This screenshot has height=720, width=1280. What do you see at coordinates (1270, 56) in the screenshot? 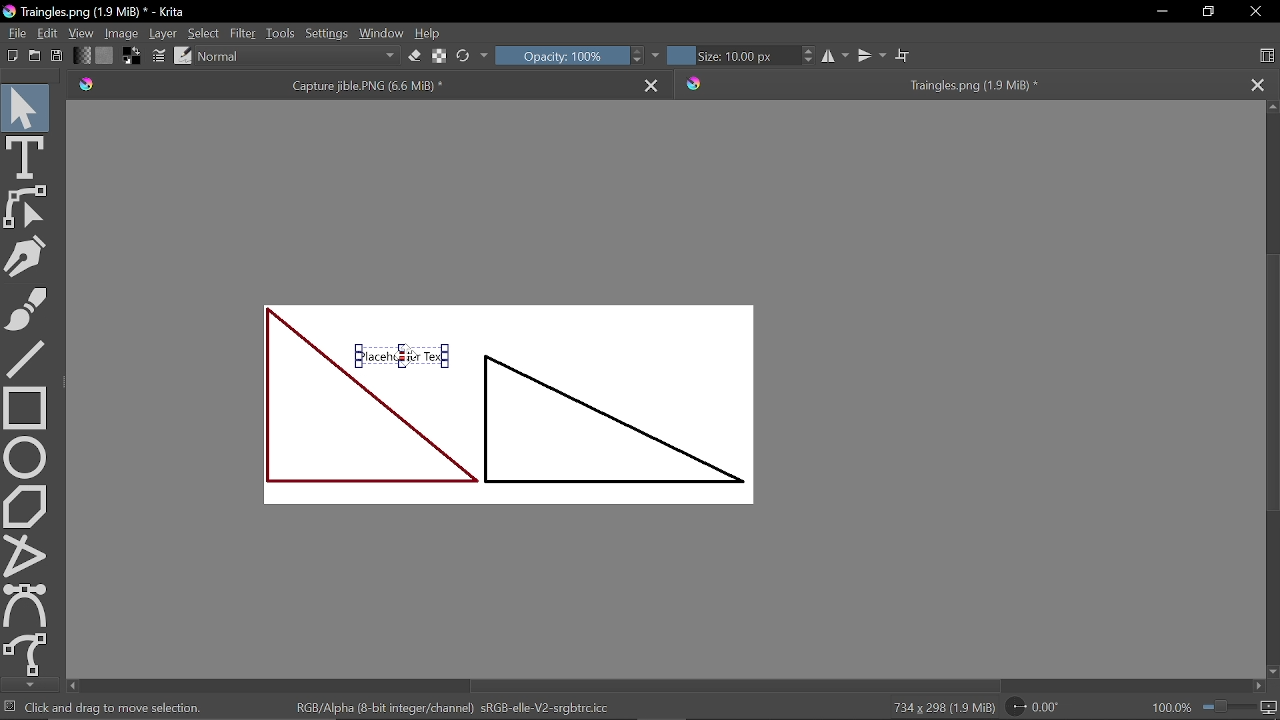
I see `Choose workspace` at bounding box center [1270, 56].